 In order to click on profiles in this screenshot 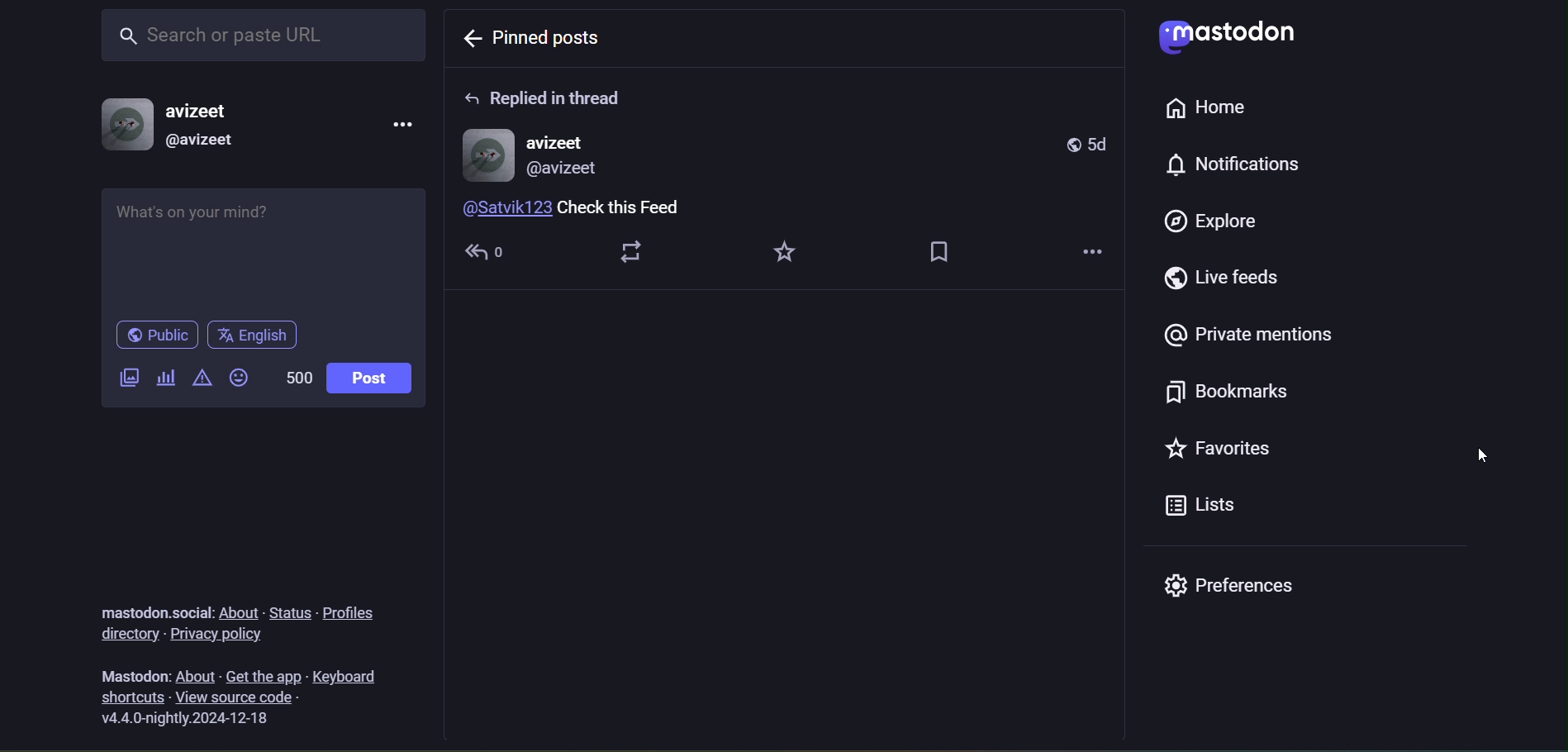, I will do `click(356, 609)`.